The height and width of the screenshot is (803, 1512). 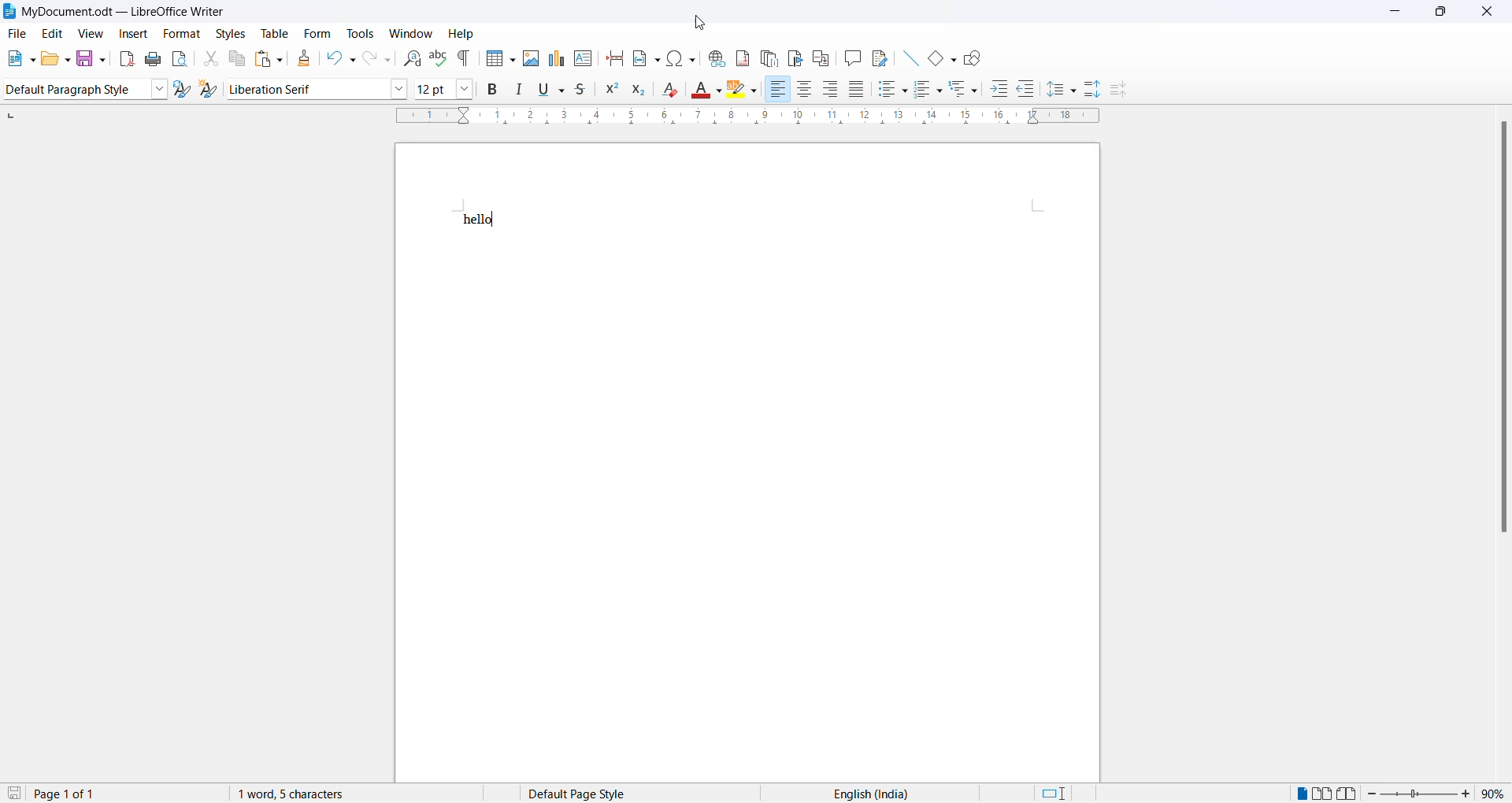 I want to click on Redo, so click(x=375, y=59).